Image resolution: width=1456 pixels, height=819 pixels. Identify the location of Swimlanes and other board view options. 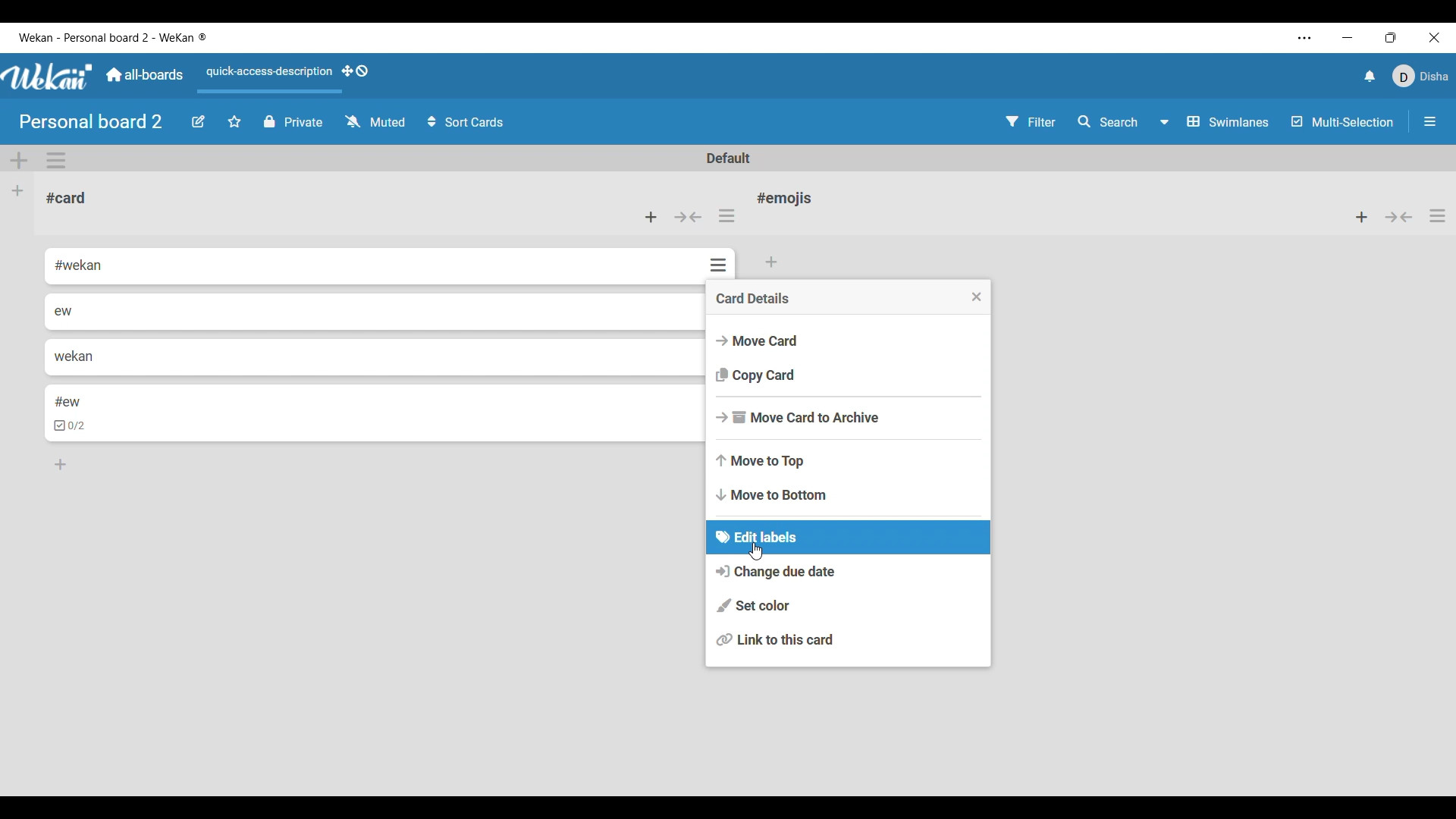
(1213, 121).